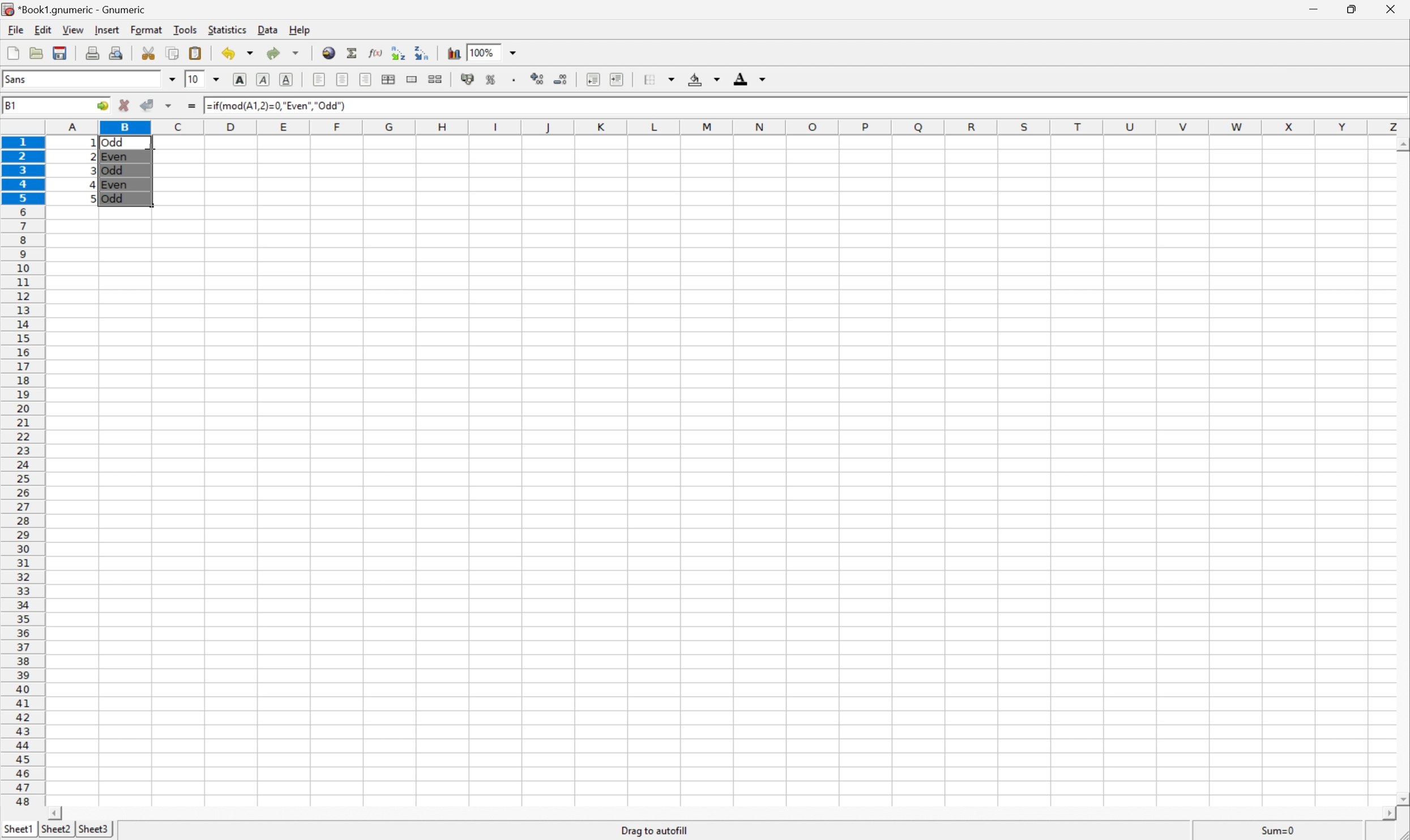 The width and height of the screenshot is (1410, 840). I want to click on 100%, so click(484, 52).